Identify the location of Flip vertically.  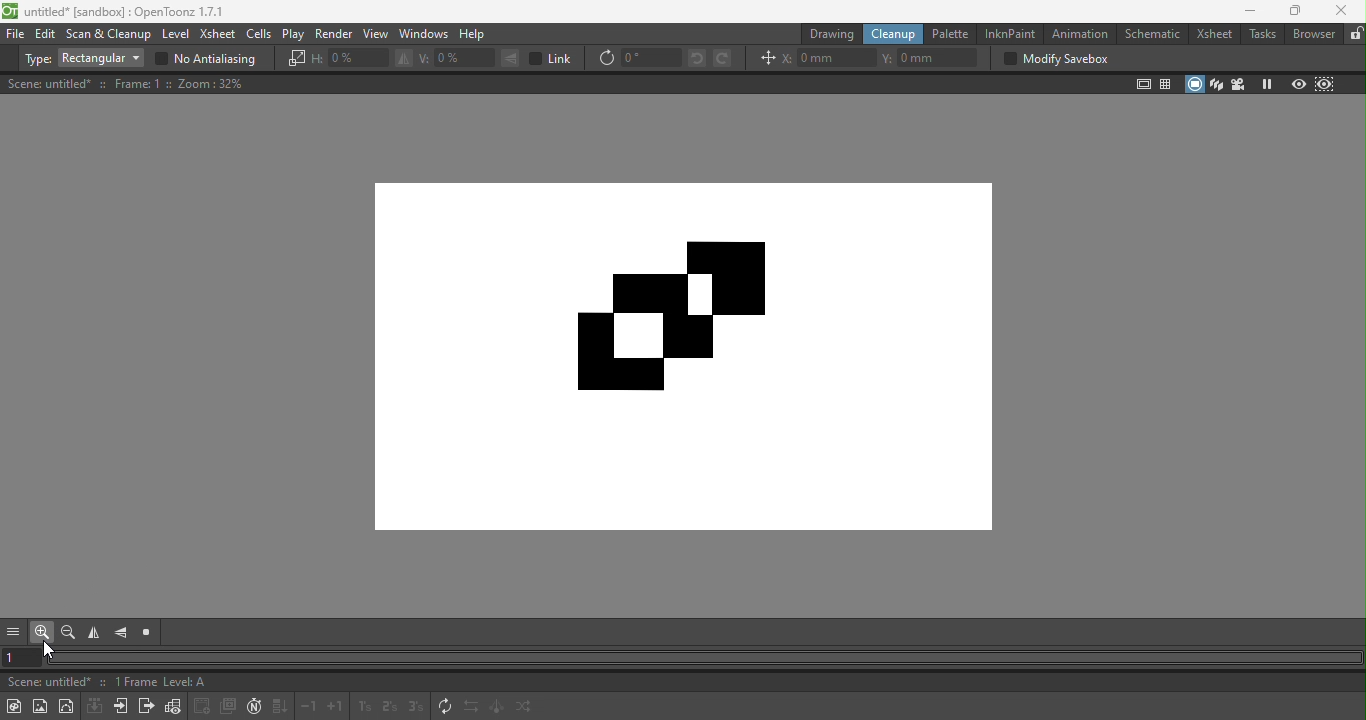
(123, 635).